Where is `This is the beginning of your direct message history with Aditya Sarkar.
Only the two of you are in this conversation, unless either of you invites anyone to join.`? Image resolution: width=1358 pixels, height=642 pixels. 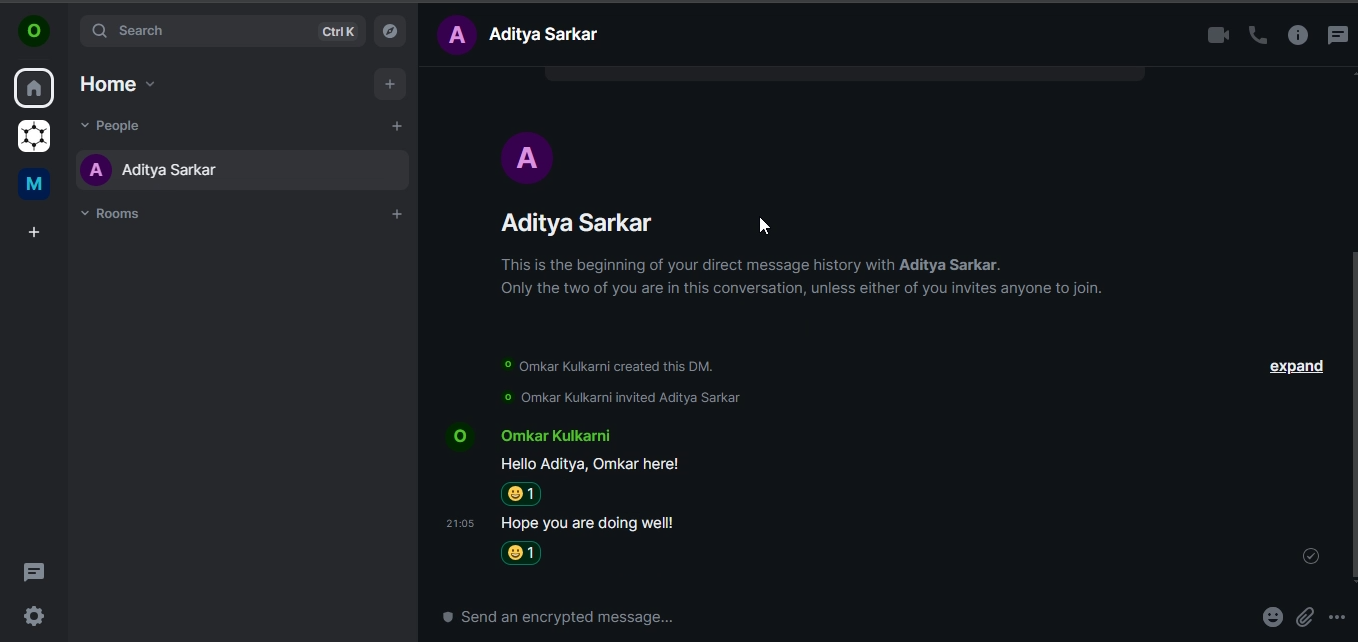 This is the beginning of your direct message history with Aditya Sarkar.
Only the two of you are in this conversation, unless either of you invites anyone to join. is located at coordinates (804, 276).